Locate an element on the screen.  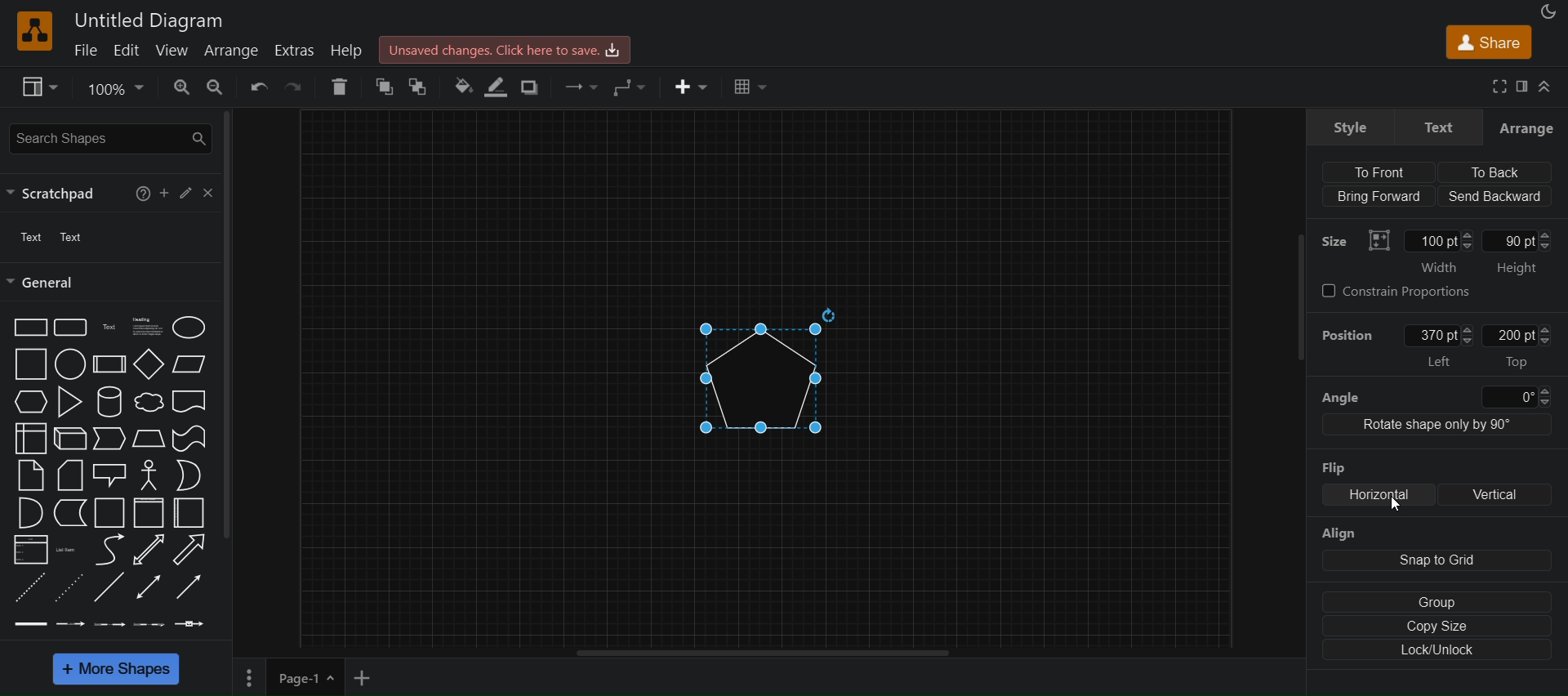
edit is located at coordinates (186, 193).